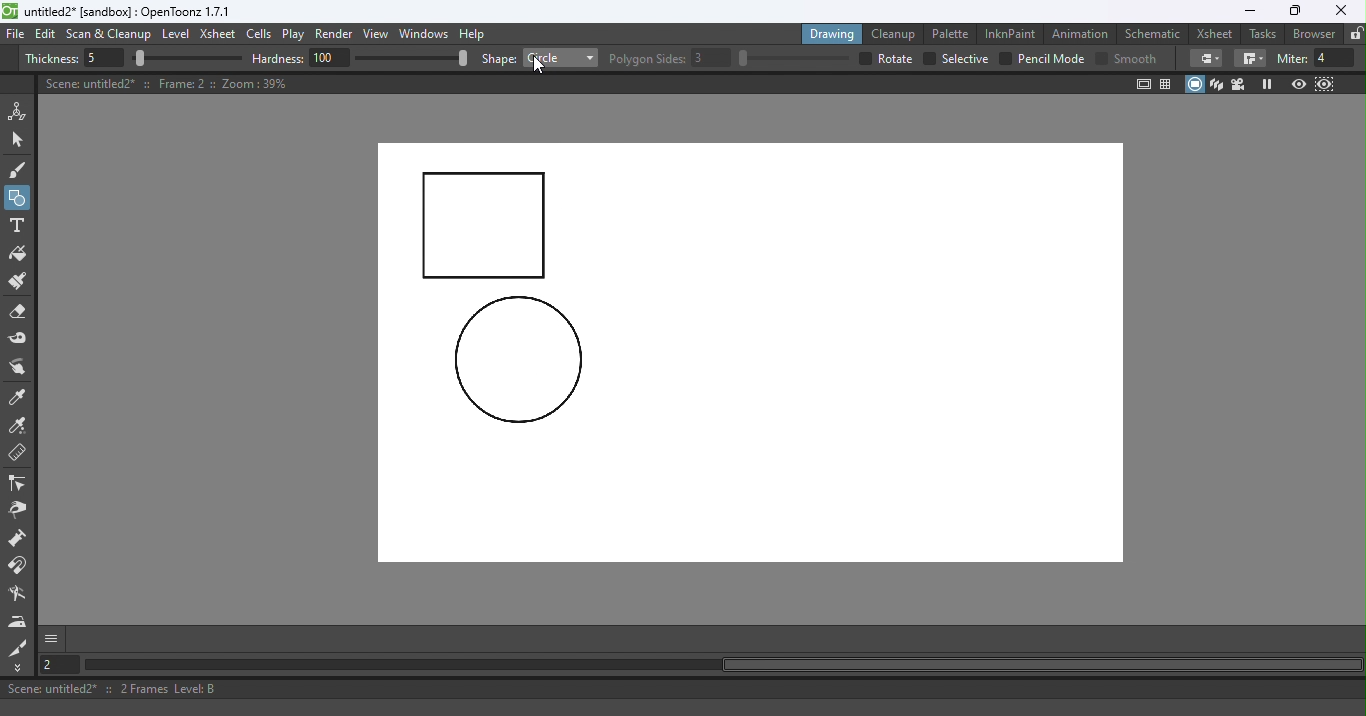  What do you see at coordinates (48, 34) in the screenshot?
I see `Edit` at bounding box center [48, 34].